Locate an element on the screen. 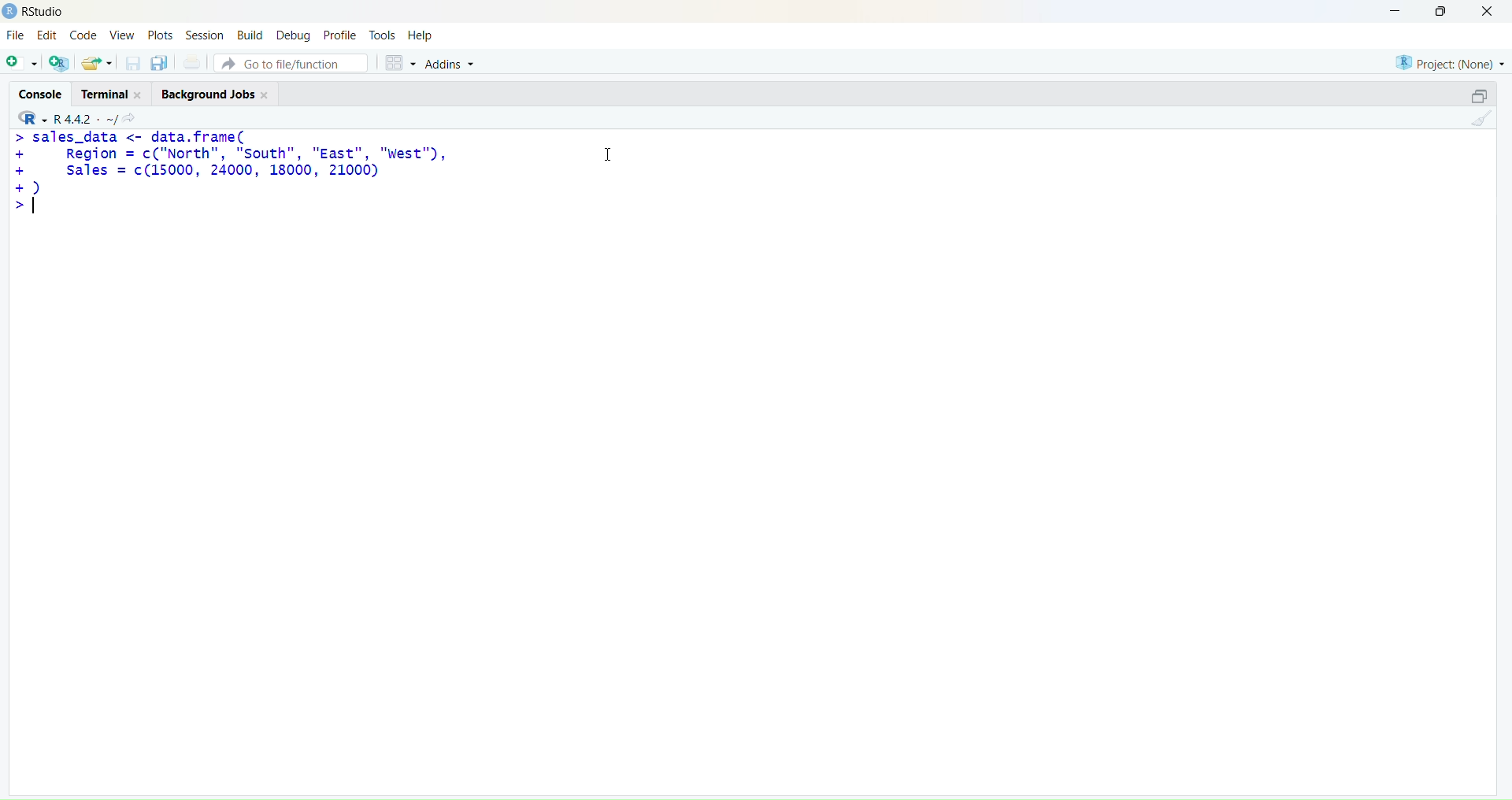 Image resolution: width=1512 pixels, height=800 pixels. File is located at coordinates (16, 36).